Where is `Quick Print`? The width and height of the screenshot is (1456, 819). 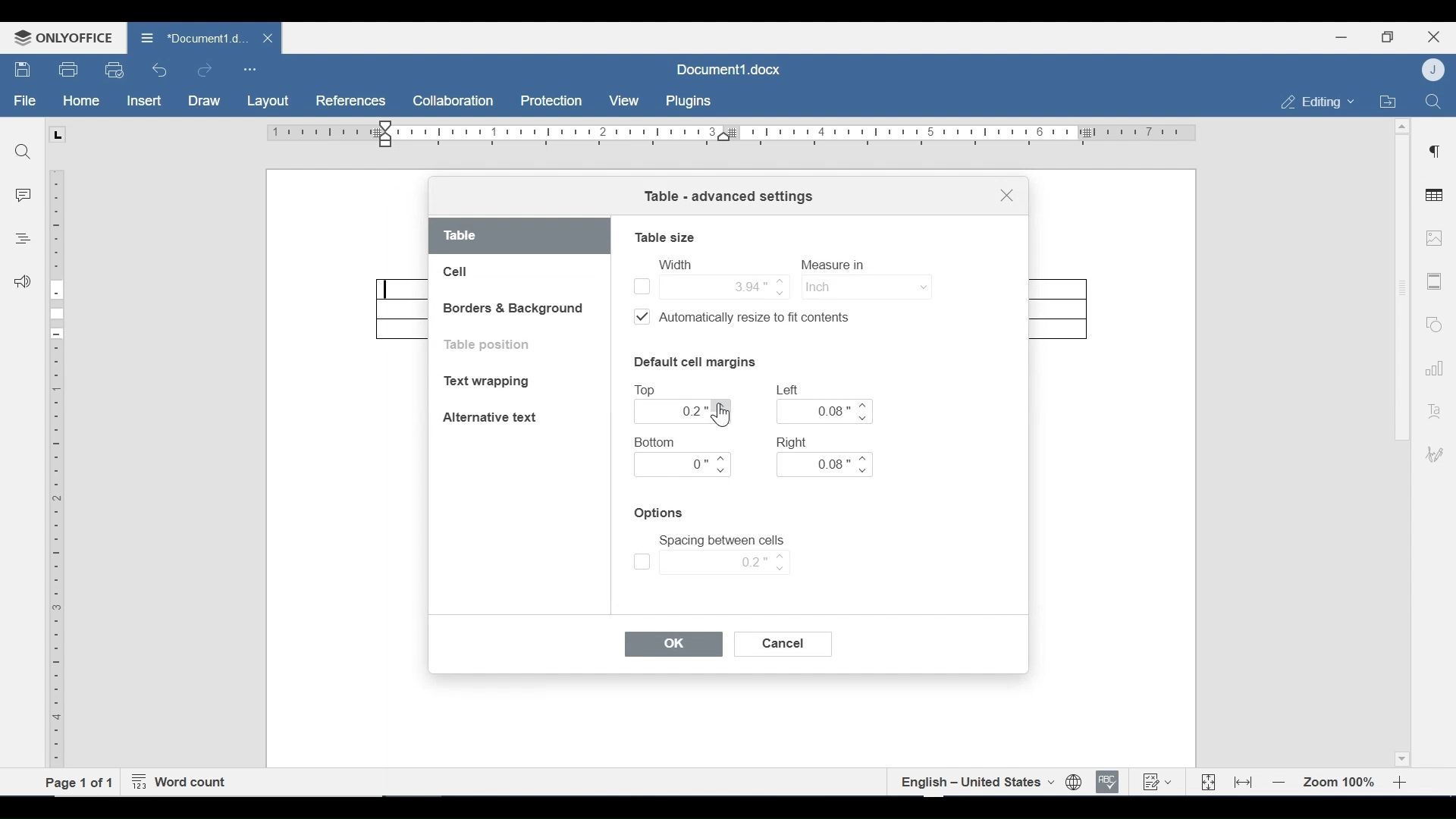 Quick Print is located at coordinates (113, 69).